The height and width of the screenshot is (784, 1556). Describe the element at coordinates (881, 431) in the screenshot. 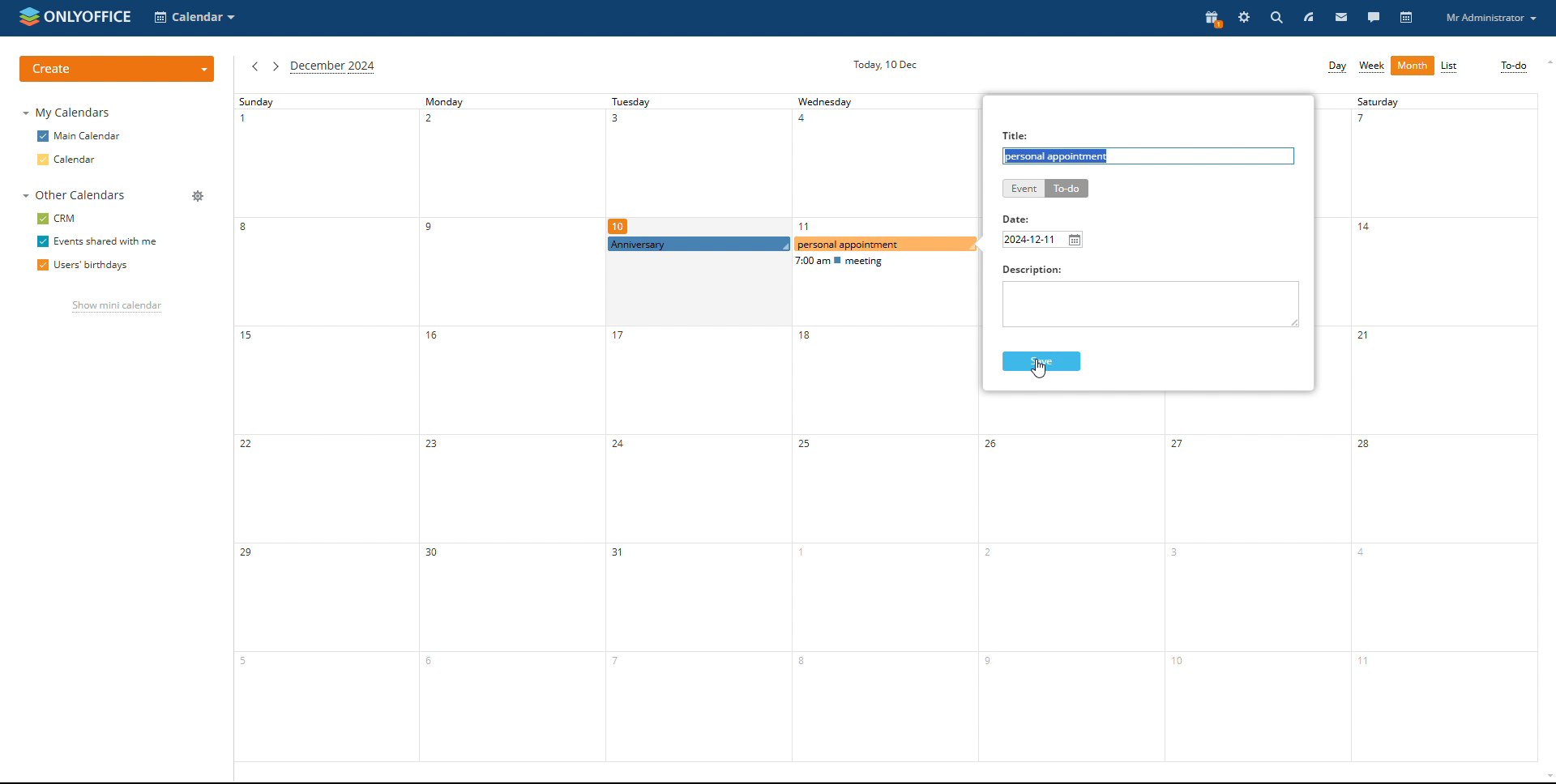

I see `wednesday` at that location.